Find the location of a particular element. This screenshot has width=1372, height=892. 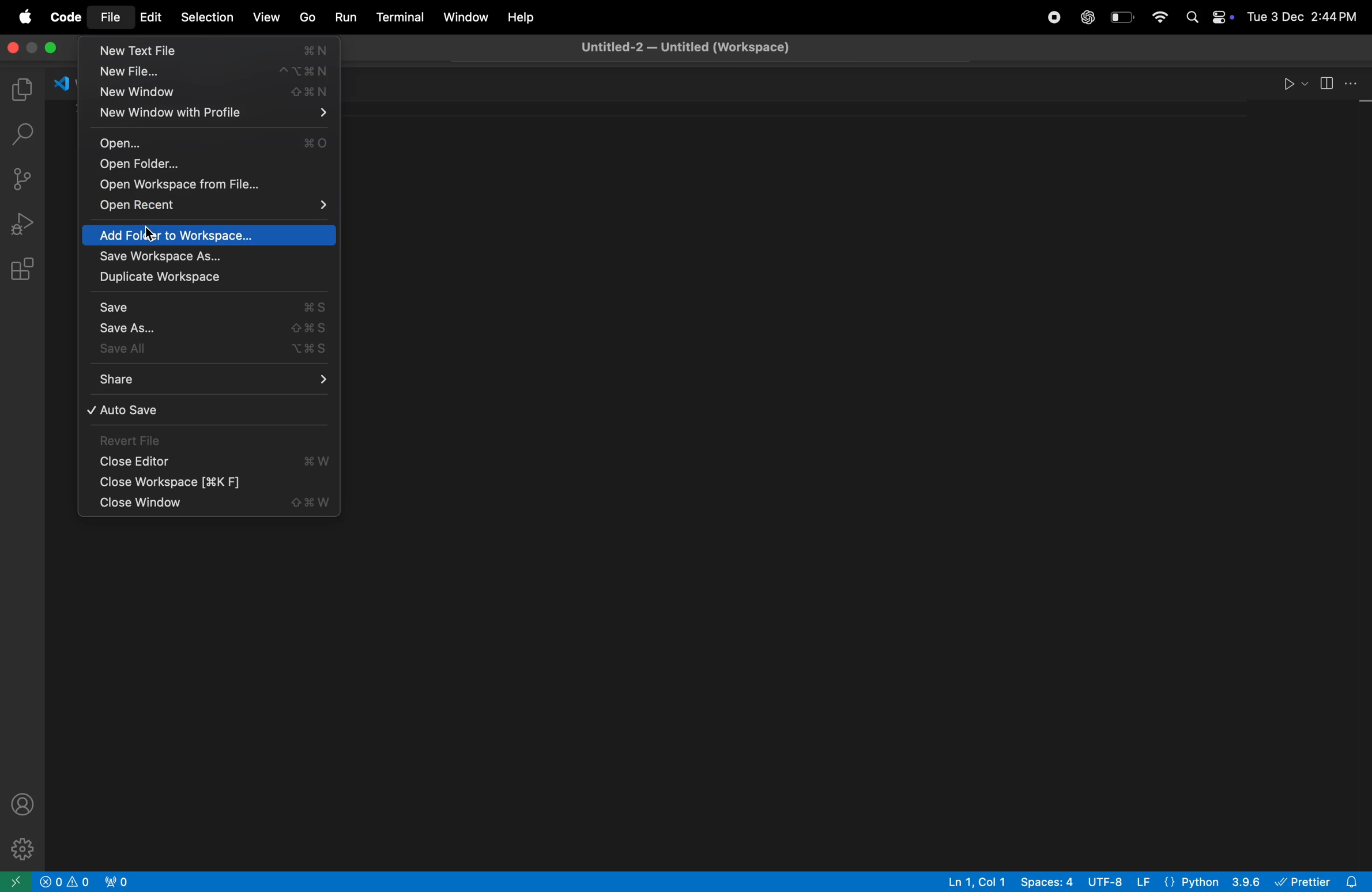

date and time is located at coordinates (1305, 13).